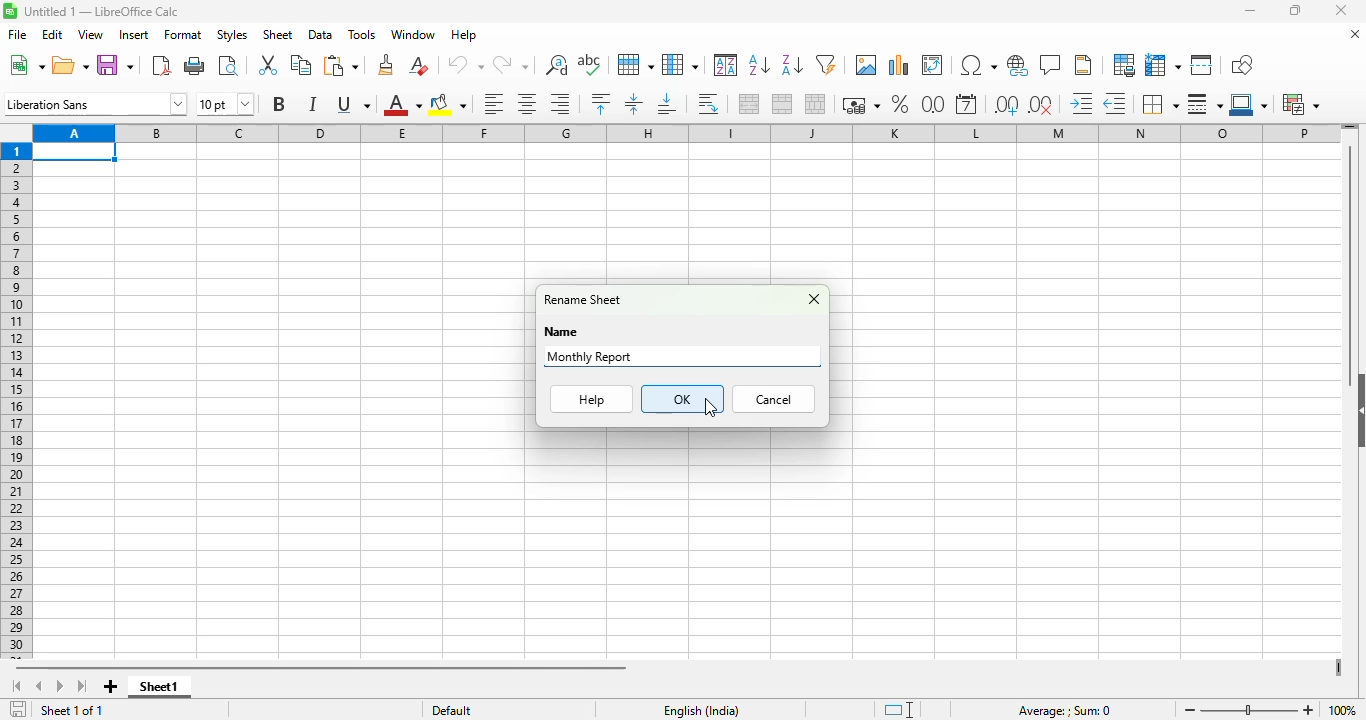  Describe the element at coordinates (680, 65) in the screenshot. I see `column` at that location.